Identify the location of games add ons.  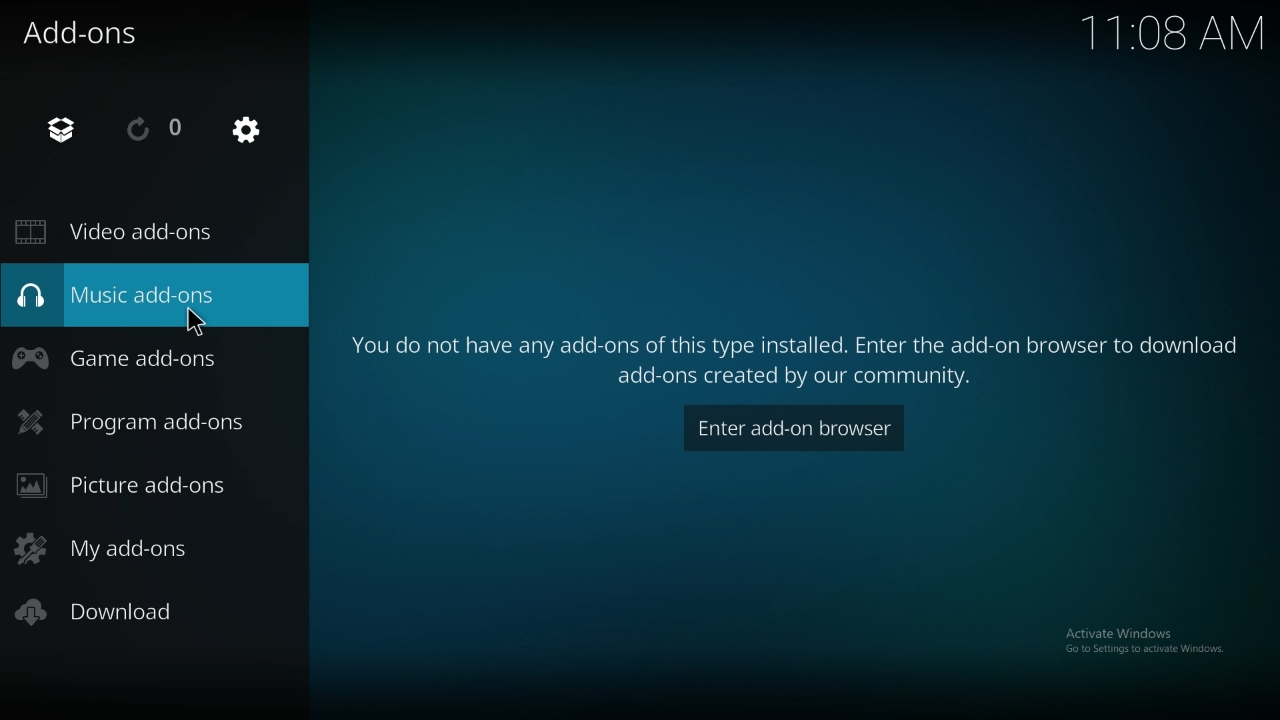
(125, 357).